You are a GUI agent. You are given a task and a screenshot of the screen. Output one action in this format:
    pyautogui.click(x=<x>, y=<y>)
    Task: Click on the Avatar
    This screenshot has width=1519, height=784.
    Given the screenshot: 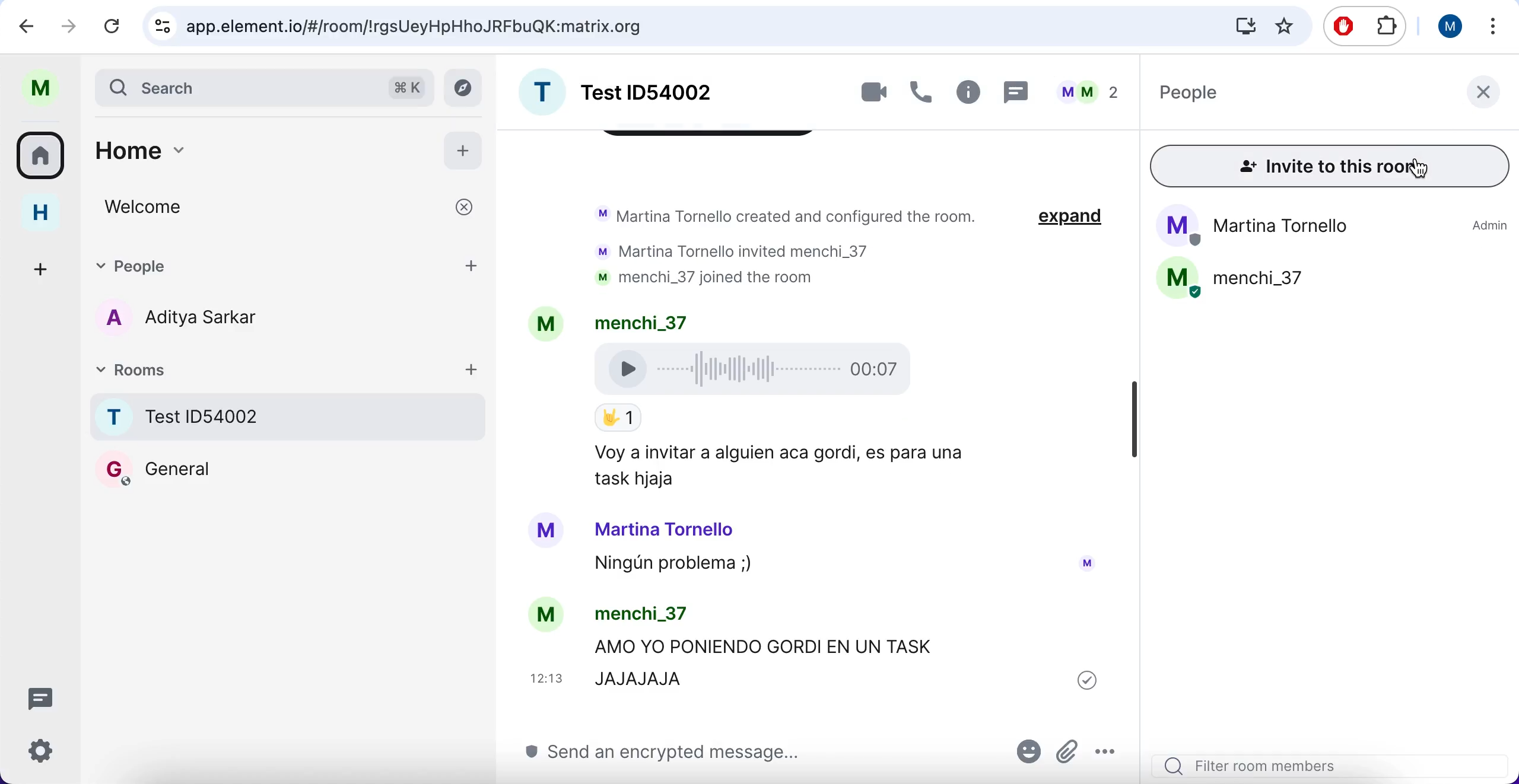 What is the action you would take?
    pyautogui.click(x=546, y=614)
    